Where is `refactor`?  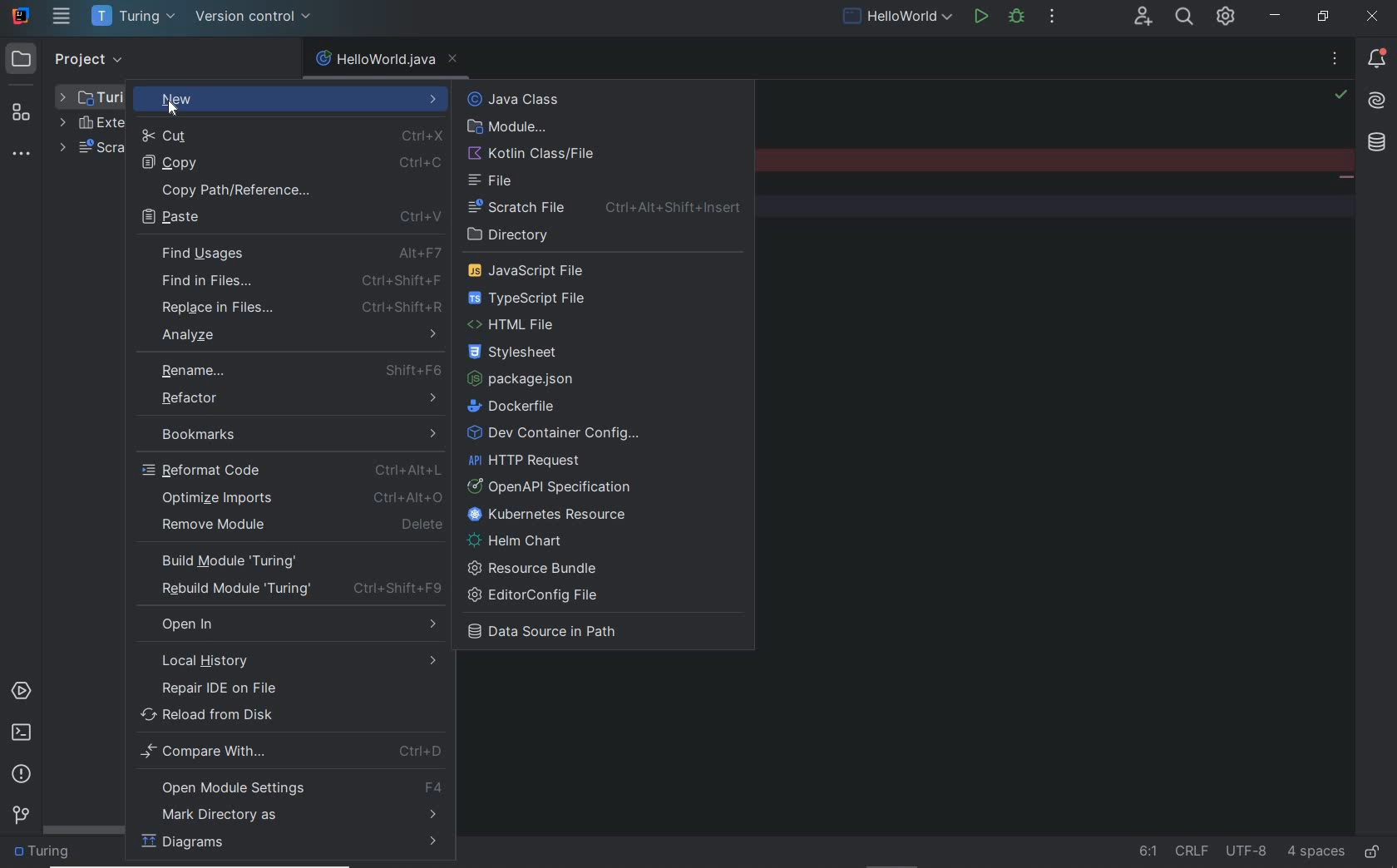
refactor is located at coordinates (293, 398).